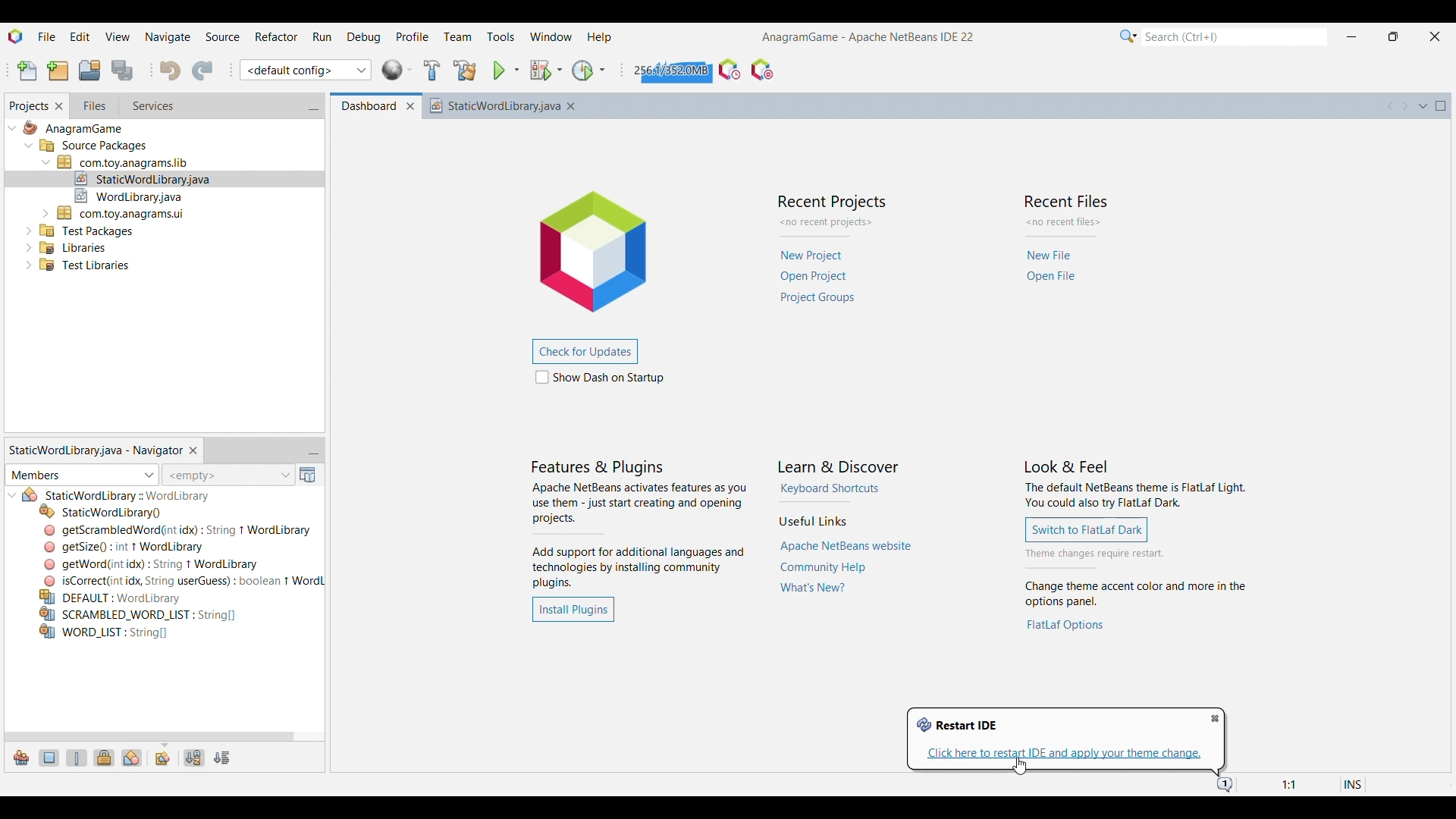  I want to click on Build project, so click(432, 70).